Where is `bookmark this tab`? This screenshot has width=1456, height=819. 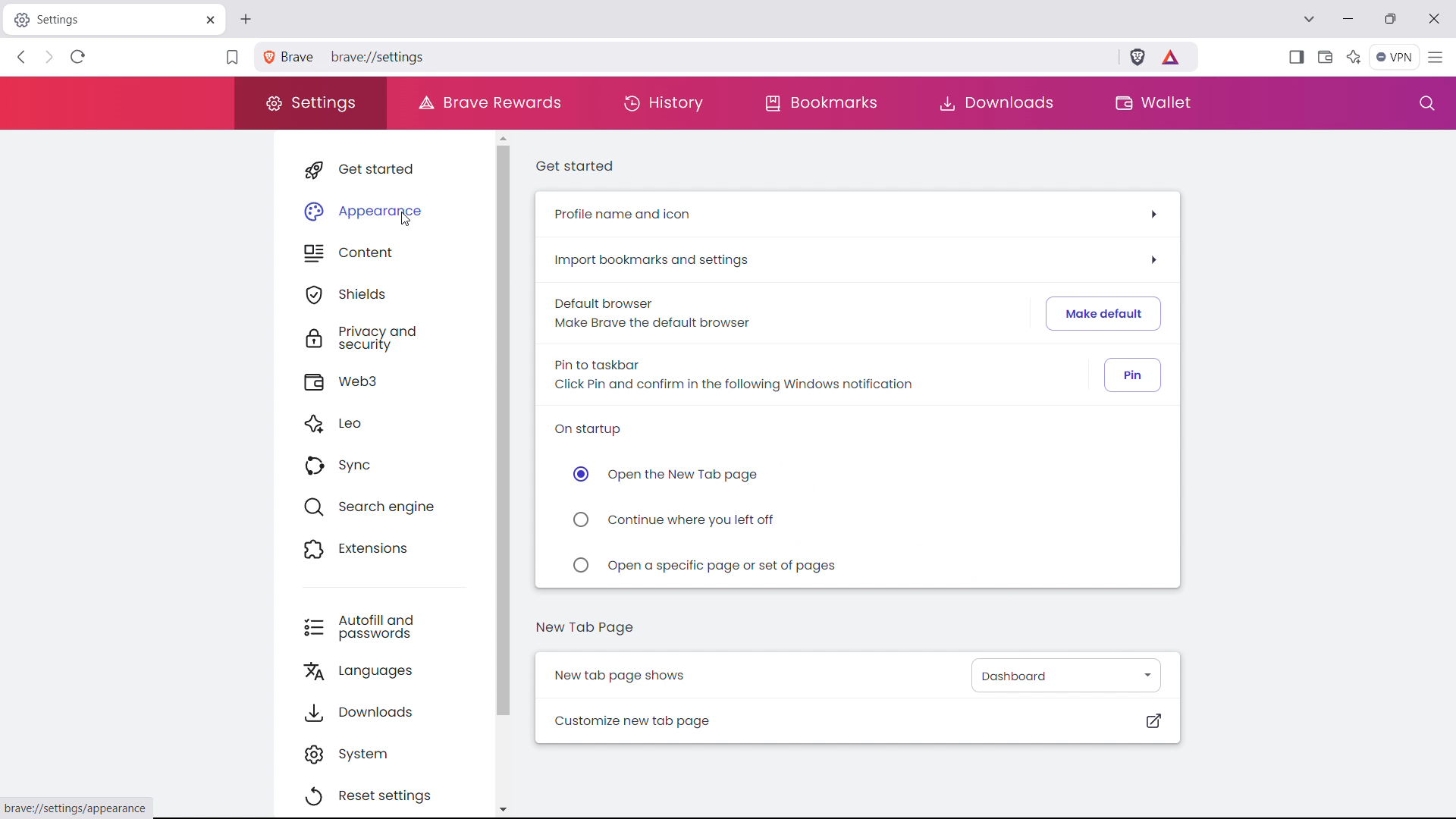
bookmark this tab is located at coordinates (232, 59).